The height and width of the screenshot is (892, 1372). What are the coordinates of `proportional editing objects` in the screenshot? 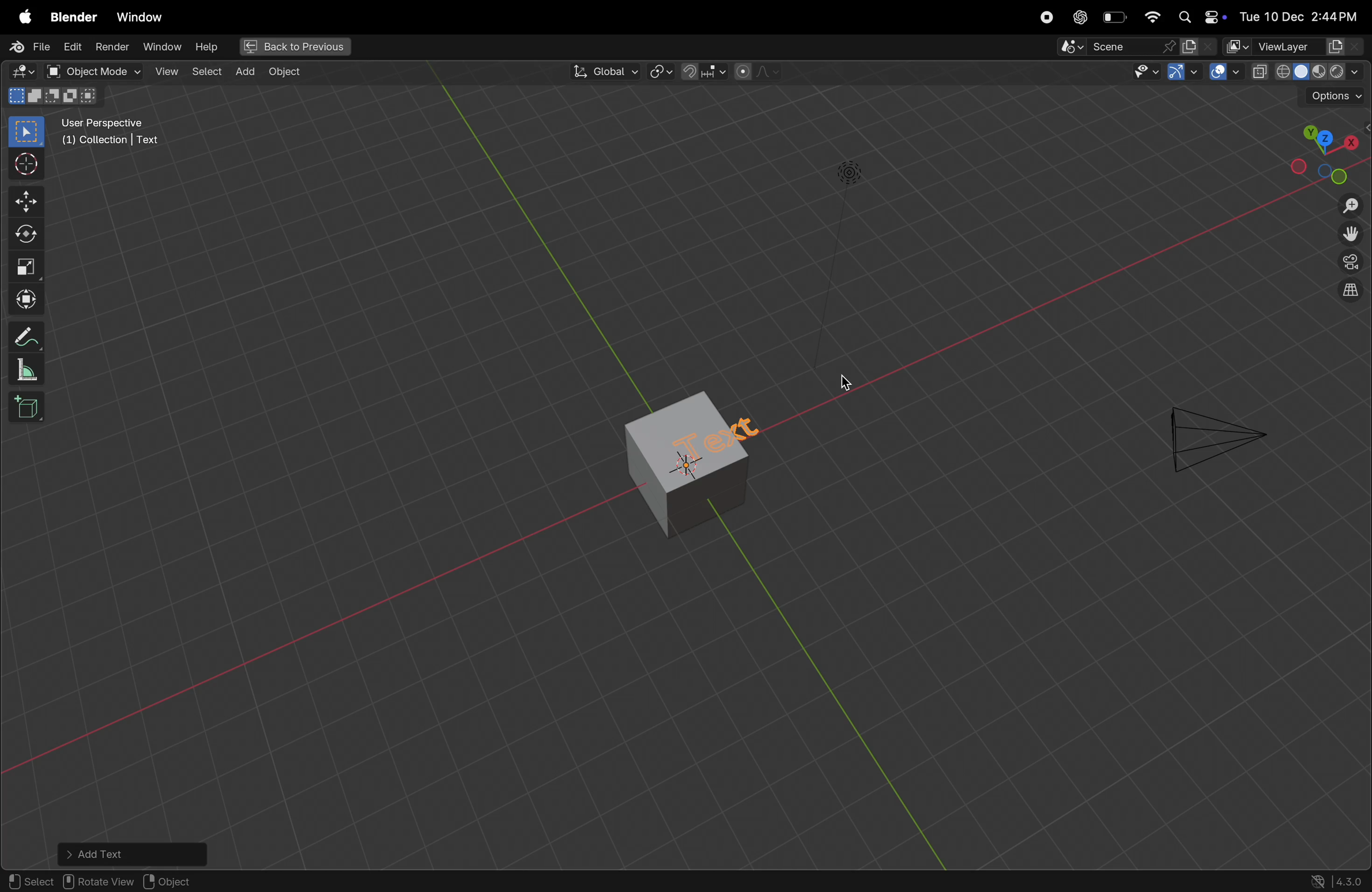 It's located at (758, 73).